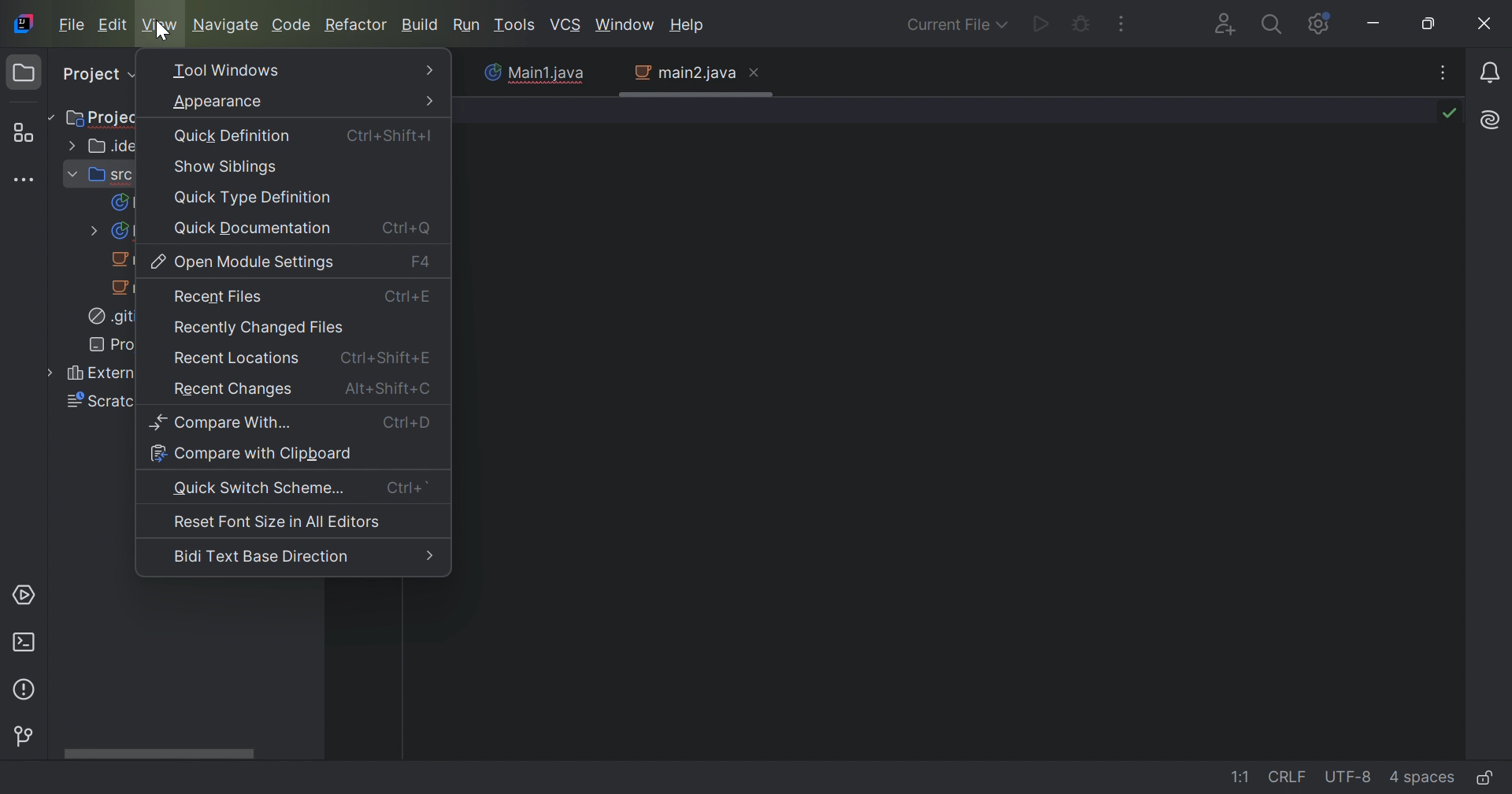 This screenshot has height=794, width=1512. I want to click on Compare with..., so click(223, 421).